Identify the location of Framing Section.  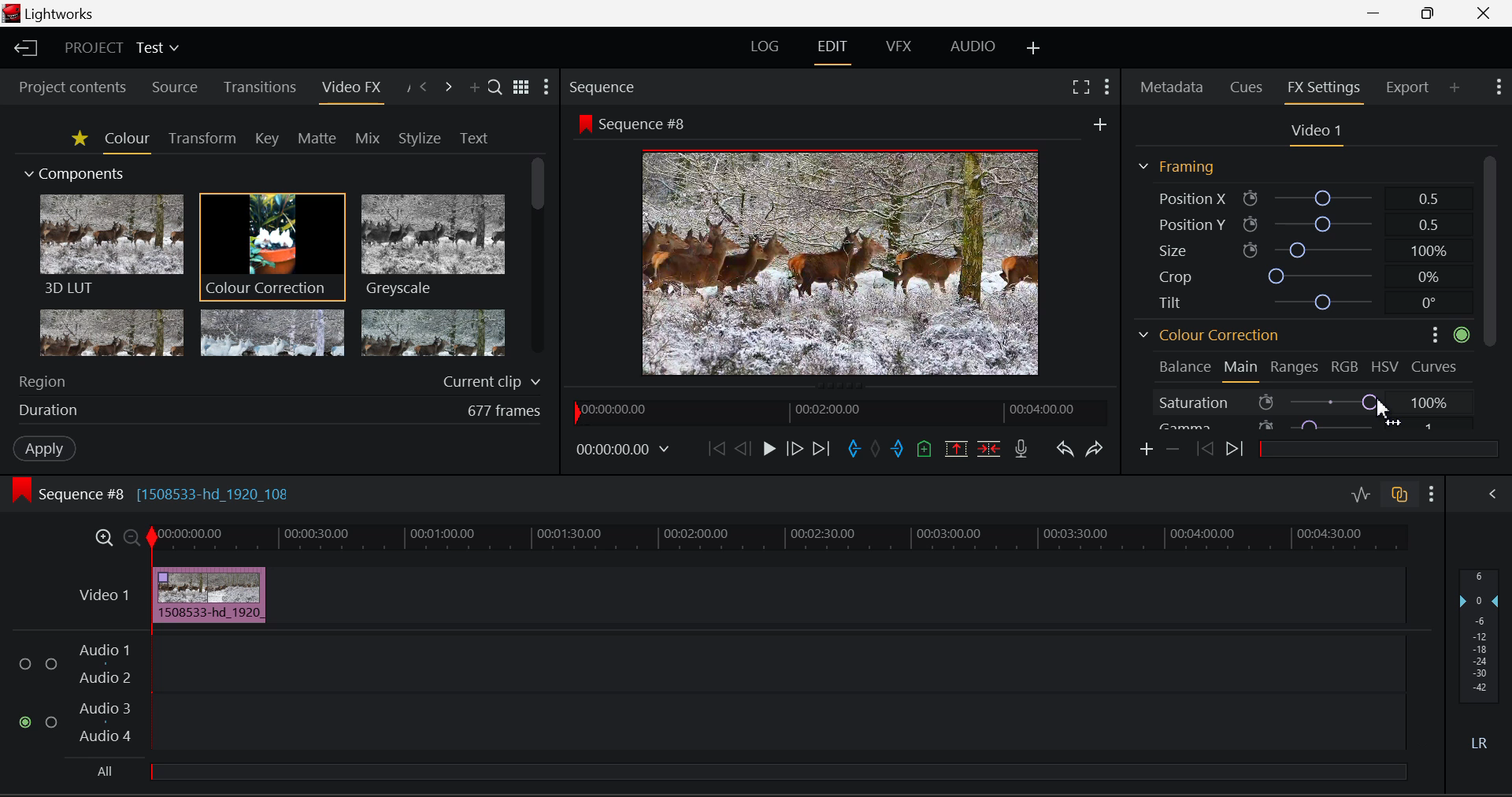
(1177, 168).